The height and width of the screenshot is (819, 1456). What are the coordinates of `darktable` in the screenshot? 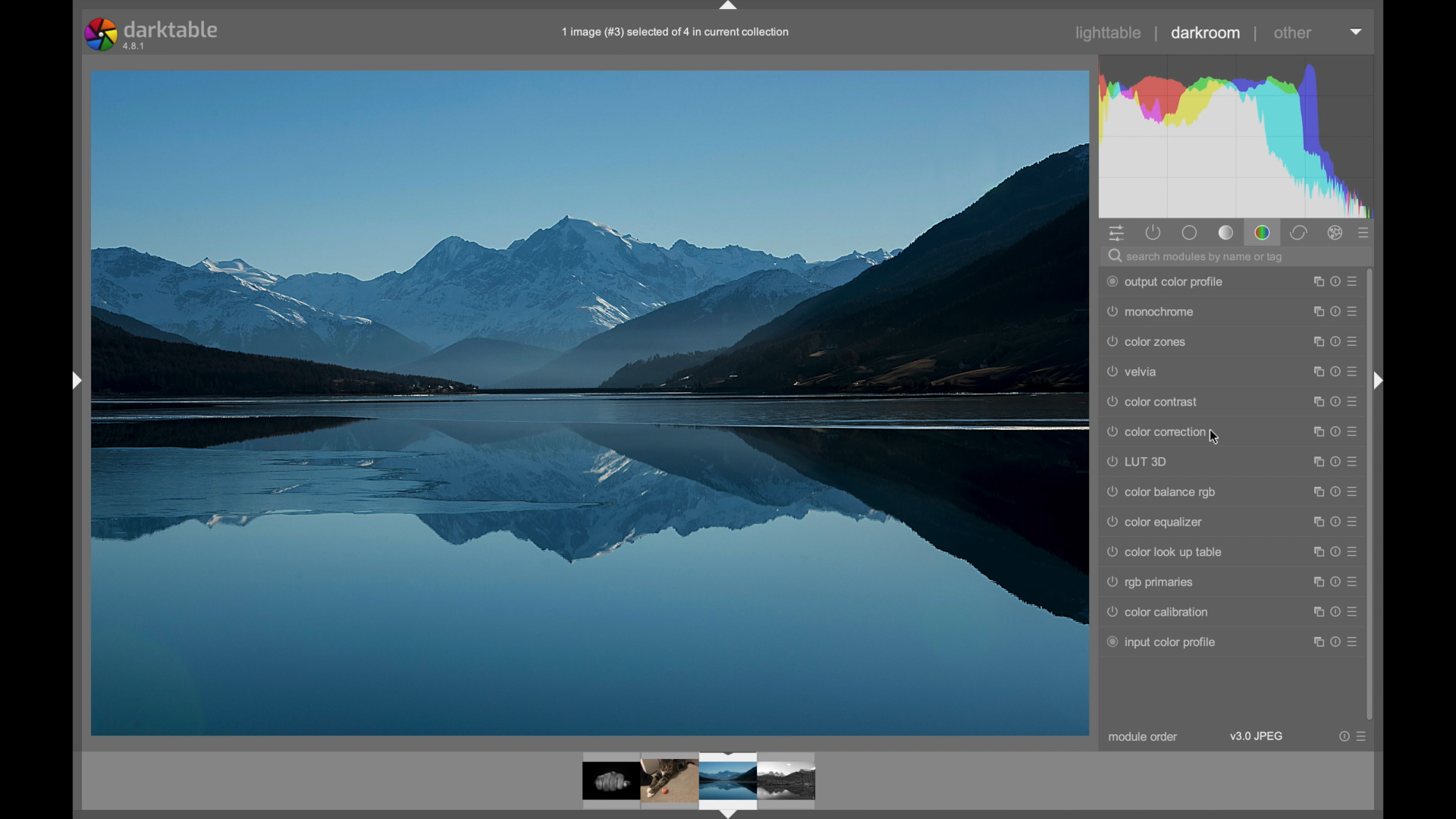 It's located at (154, 35).